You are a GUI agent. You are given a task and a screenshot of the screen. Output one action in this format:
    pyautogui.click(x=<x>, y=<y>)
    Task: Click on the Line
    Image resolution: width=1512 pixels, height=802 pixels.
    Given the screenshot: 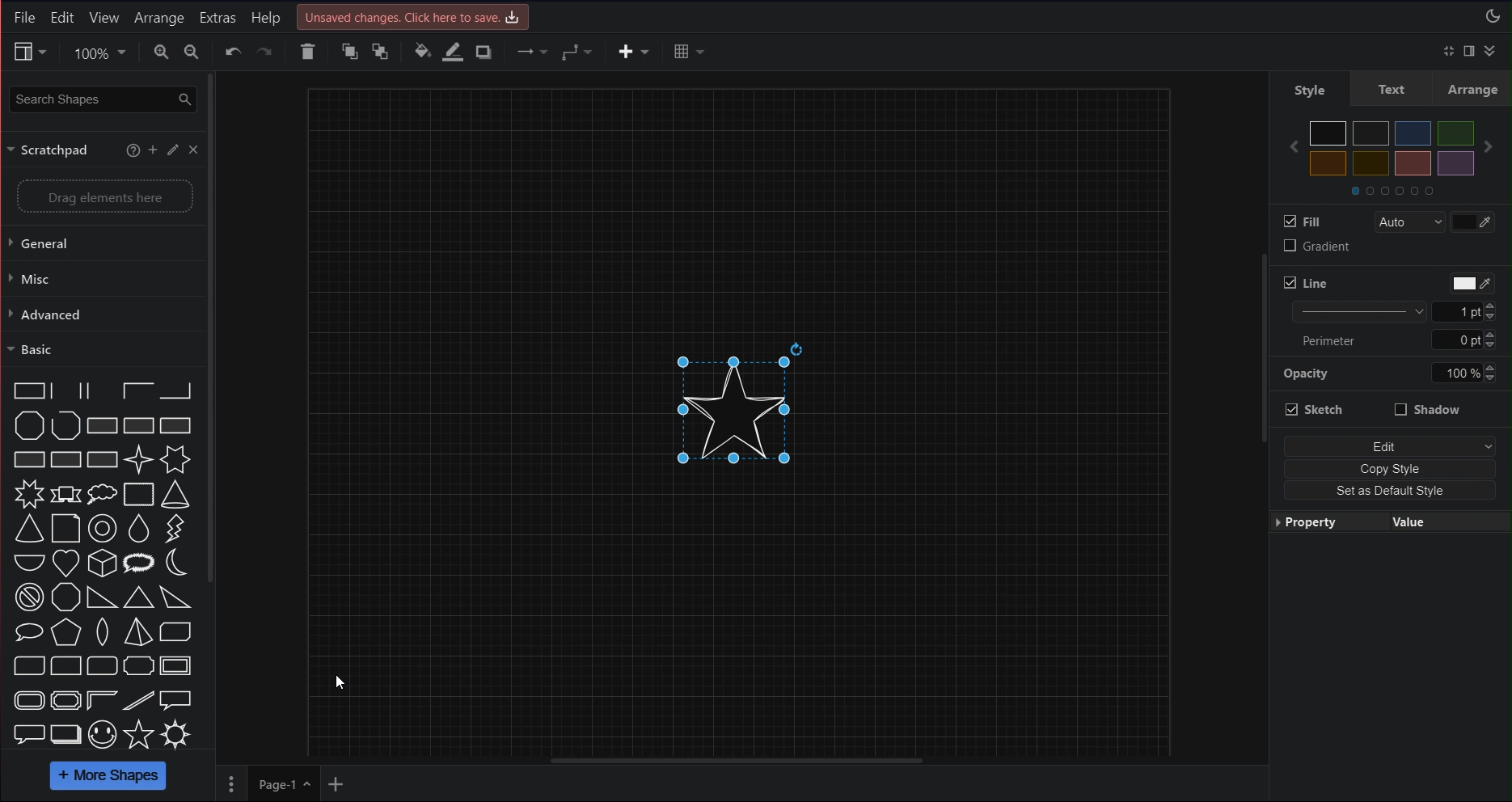 What is the action you would take?
    pyautogui.click(x=1307, y=283)
    